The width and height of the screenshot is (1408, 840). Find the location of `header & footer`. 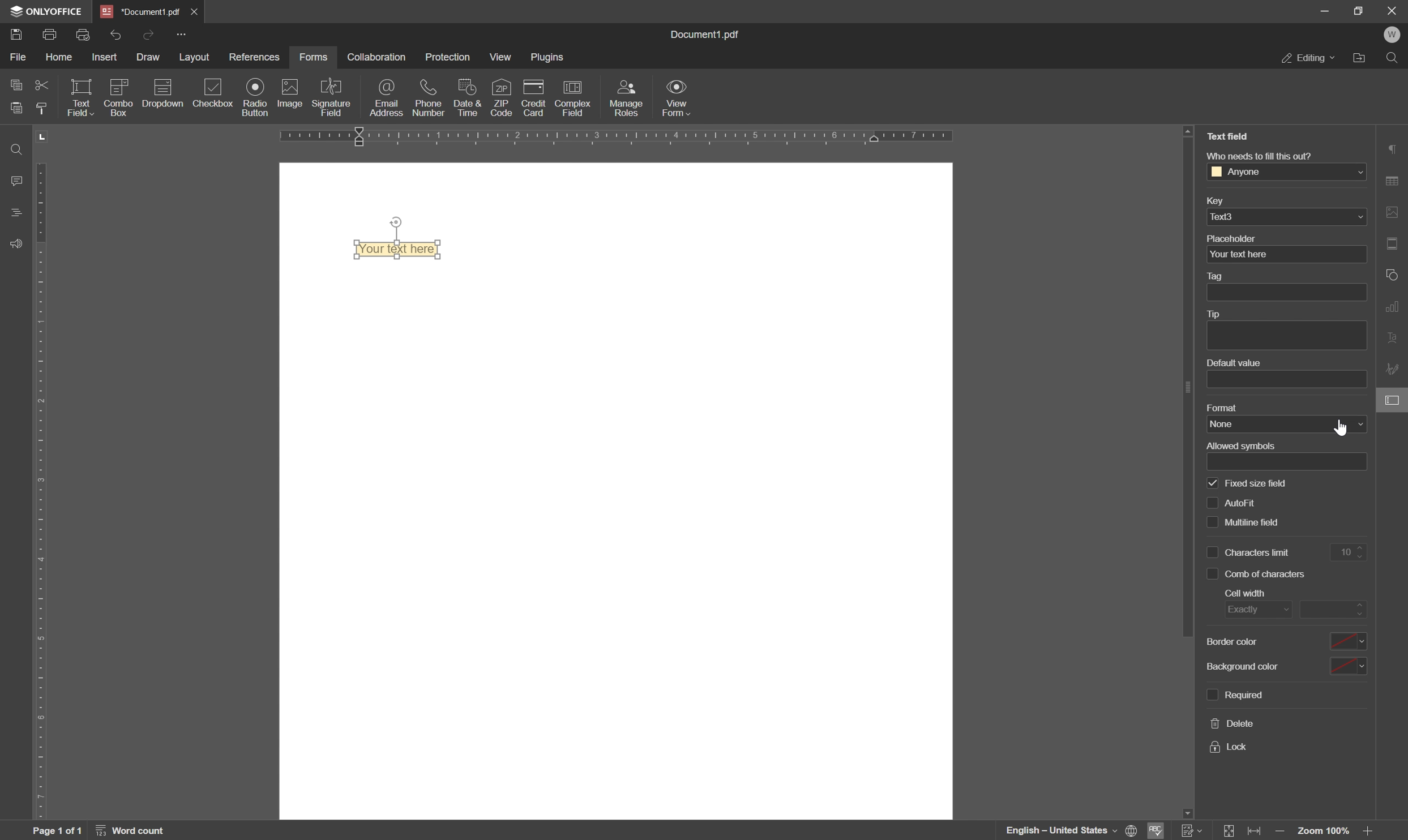

header & footer is located at coordinates (1395, 243).